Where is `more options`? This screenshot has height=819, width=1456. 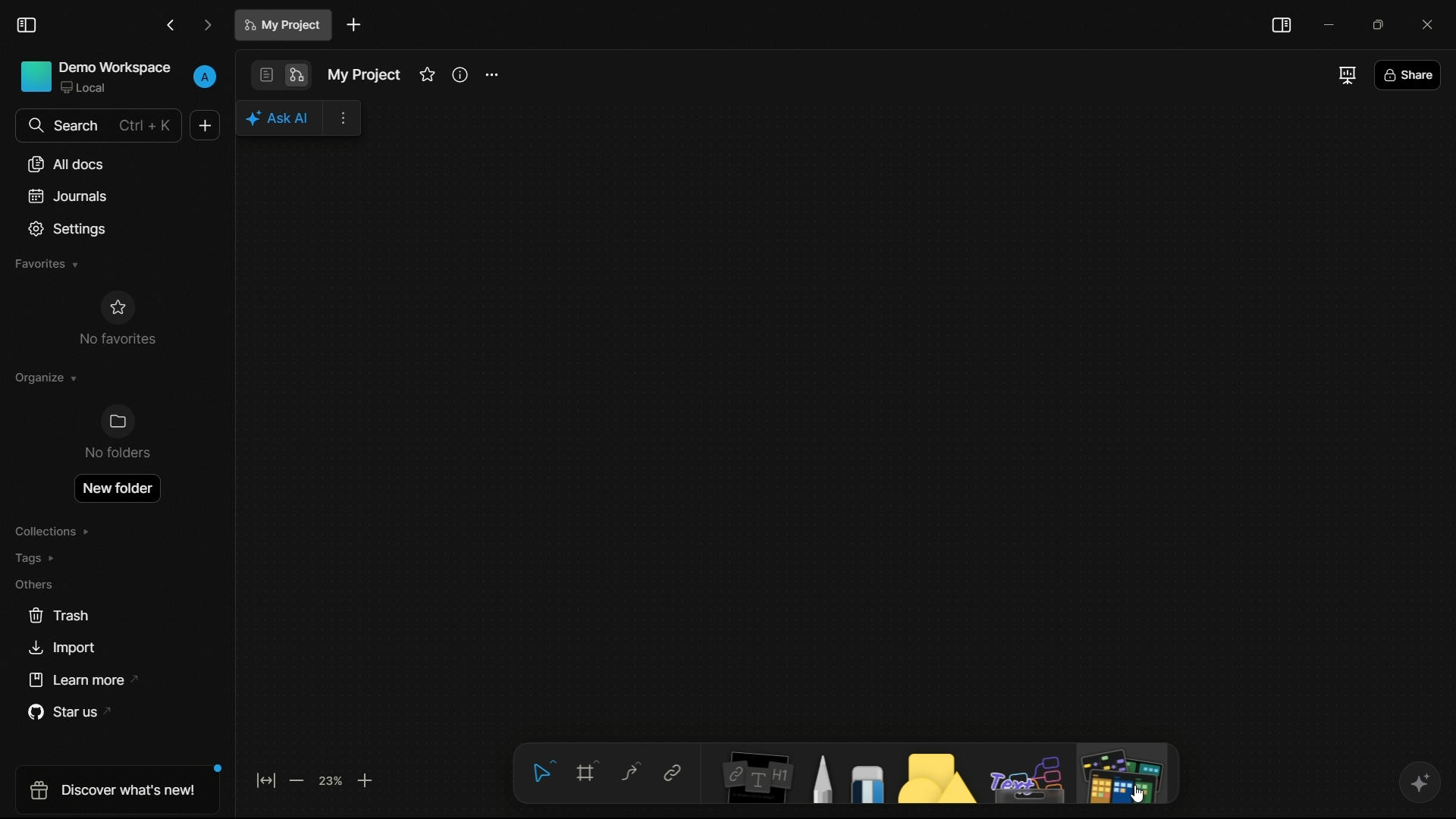 more options is located at coordinates (344, 120).